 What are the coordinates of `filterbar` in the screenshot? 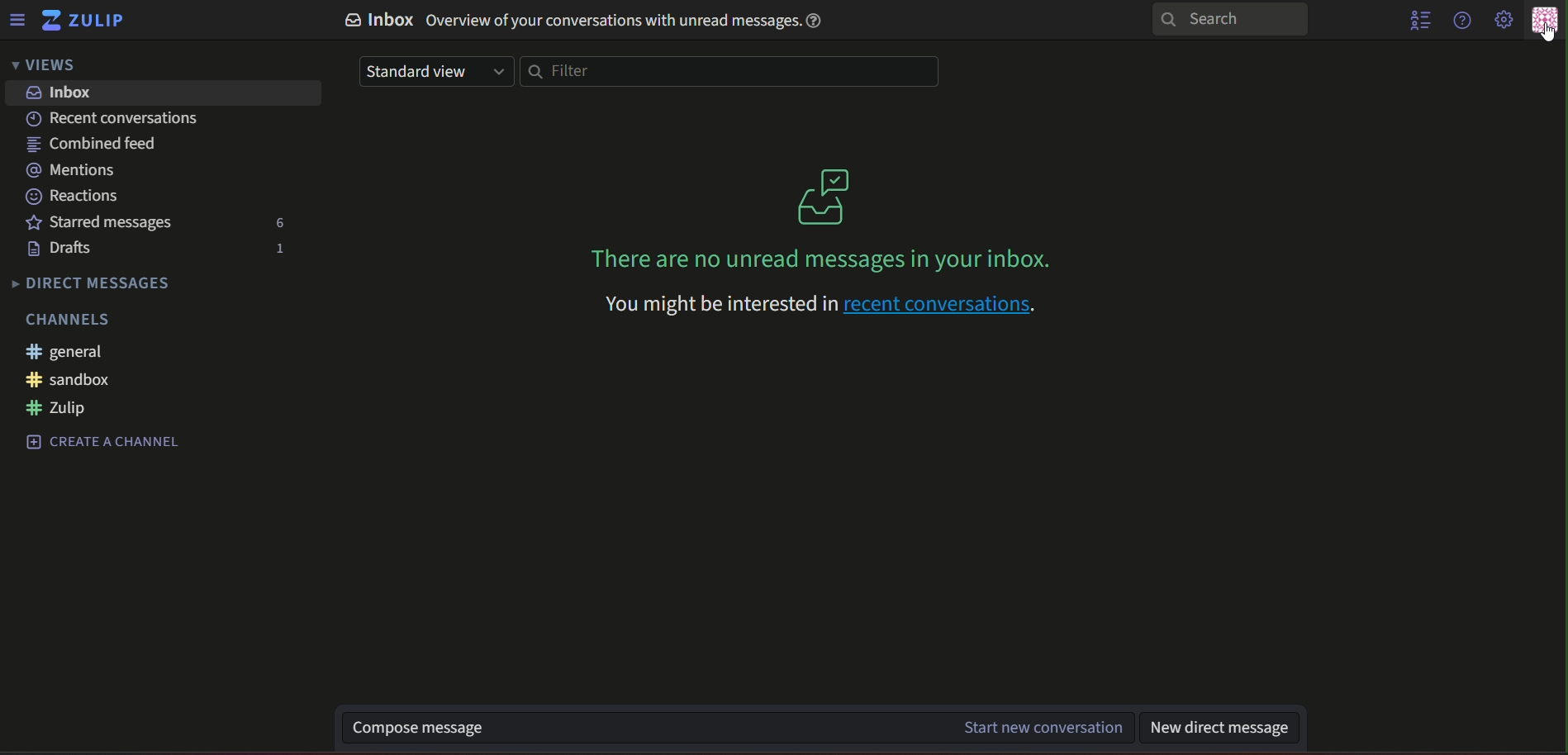 It's located at (733, 71).